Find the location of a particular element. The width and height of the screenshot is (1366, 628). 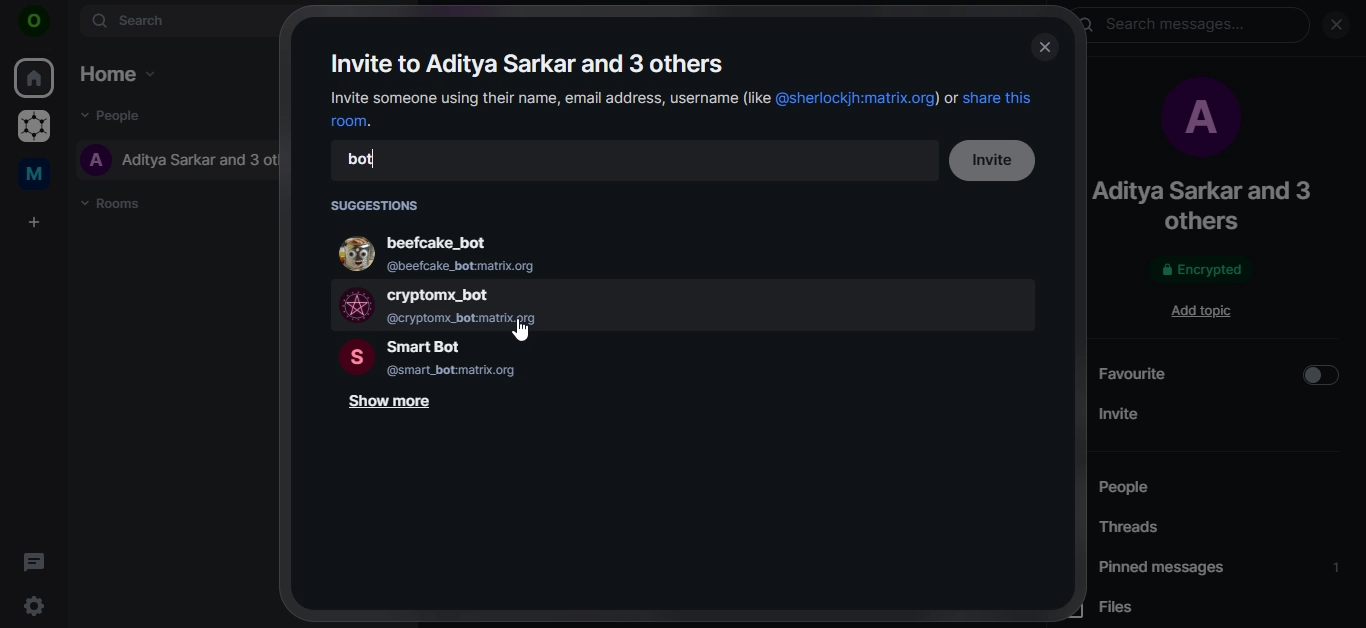

invite to aditya sarkar and 3 others is located at coordinates (530, 64).